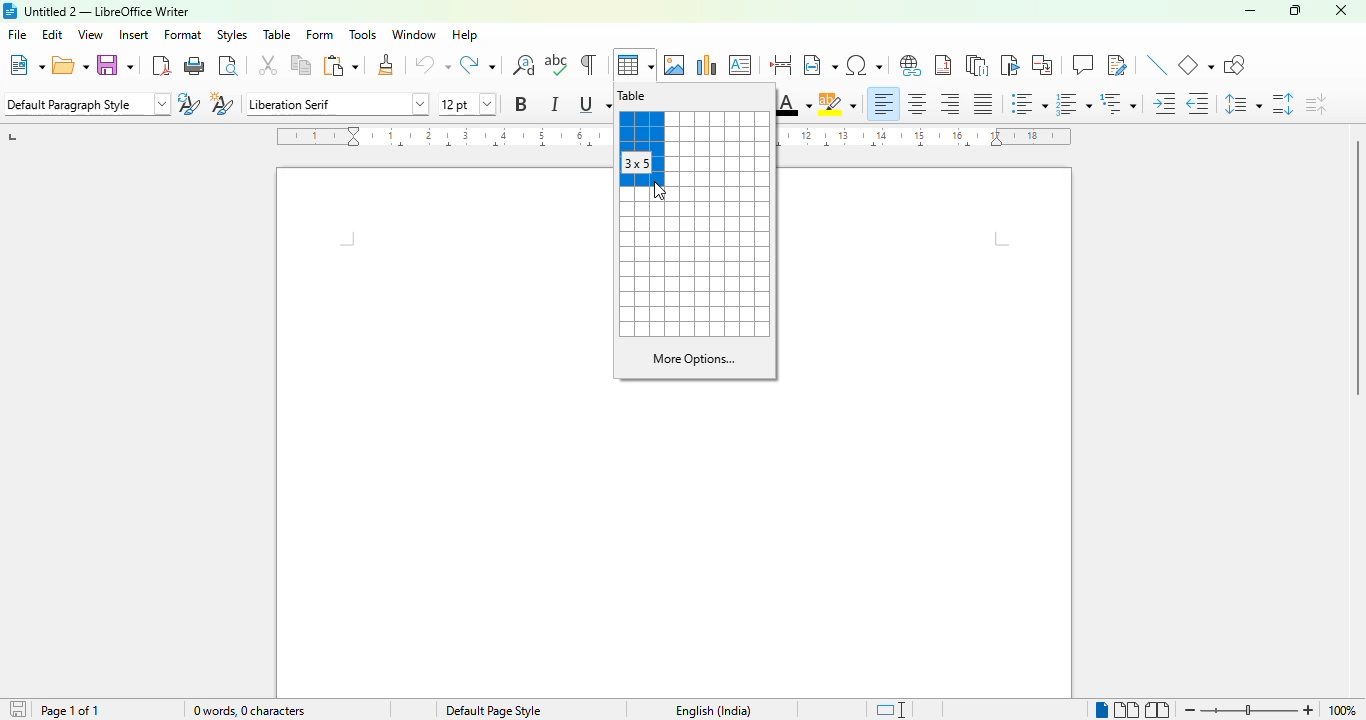 The image size is (1366, 720). What do you see at coordinates (1102, 710) in the screenshot?
I see `single-page view` at bounding box center [1102, 710].